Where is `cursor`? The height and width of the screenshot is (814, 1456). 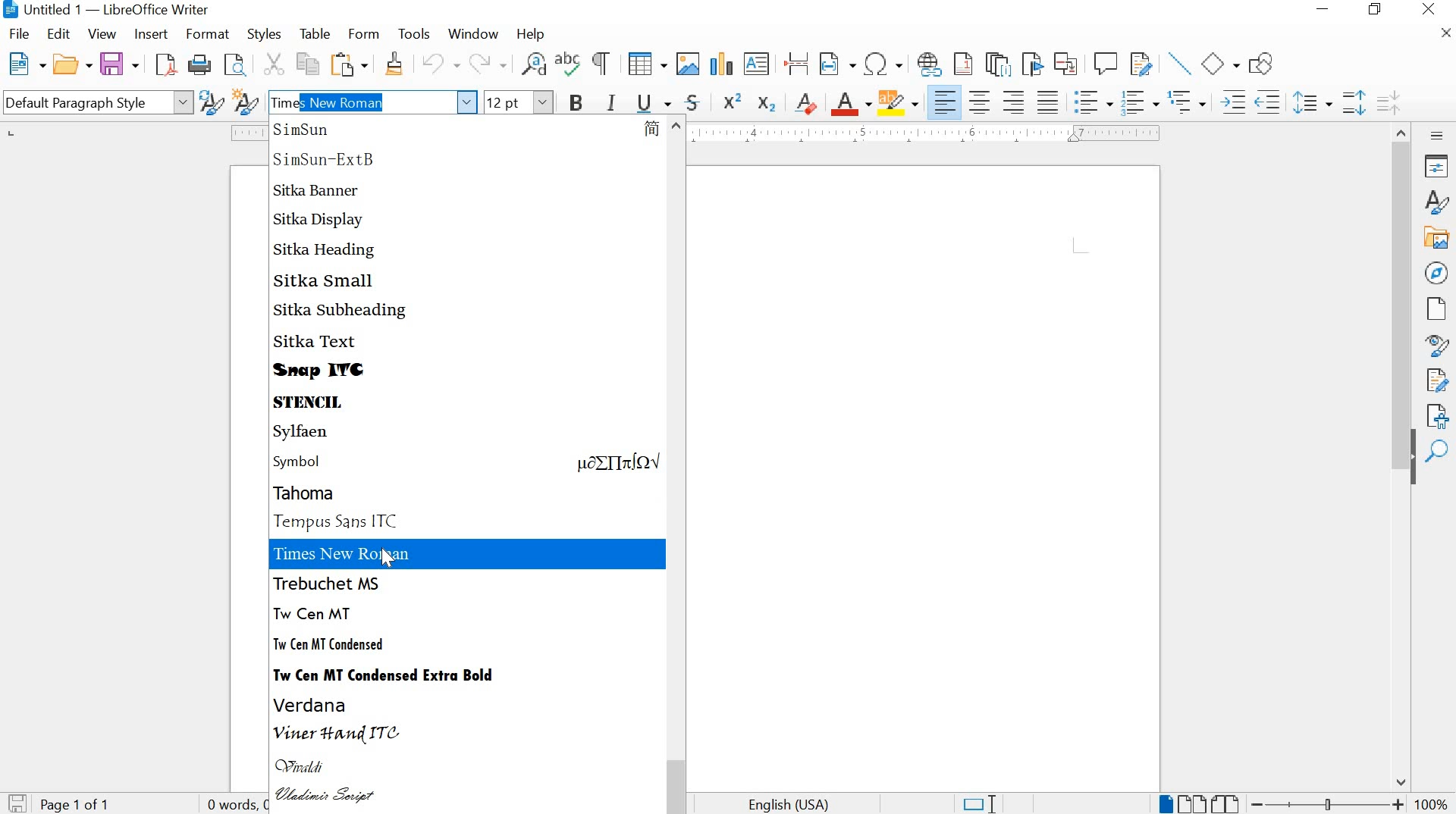 cursor is located at coordinates (475, 111).